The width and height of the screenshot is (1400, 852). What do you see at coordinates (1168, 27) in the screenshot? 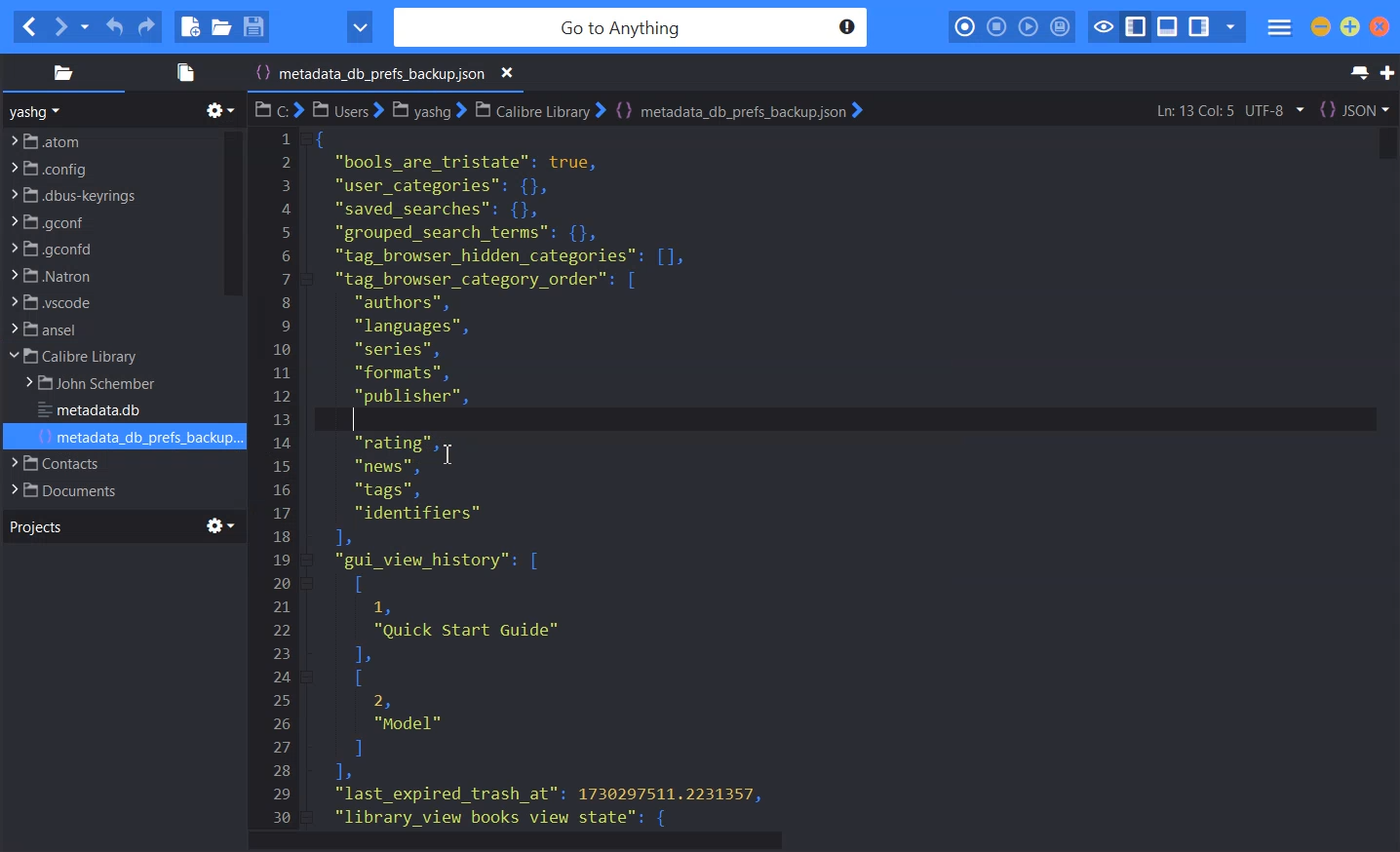
I see `Show/hide bottom pane` at bounding box center [1168, 27].